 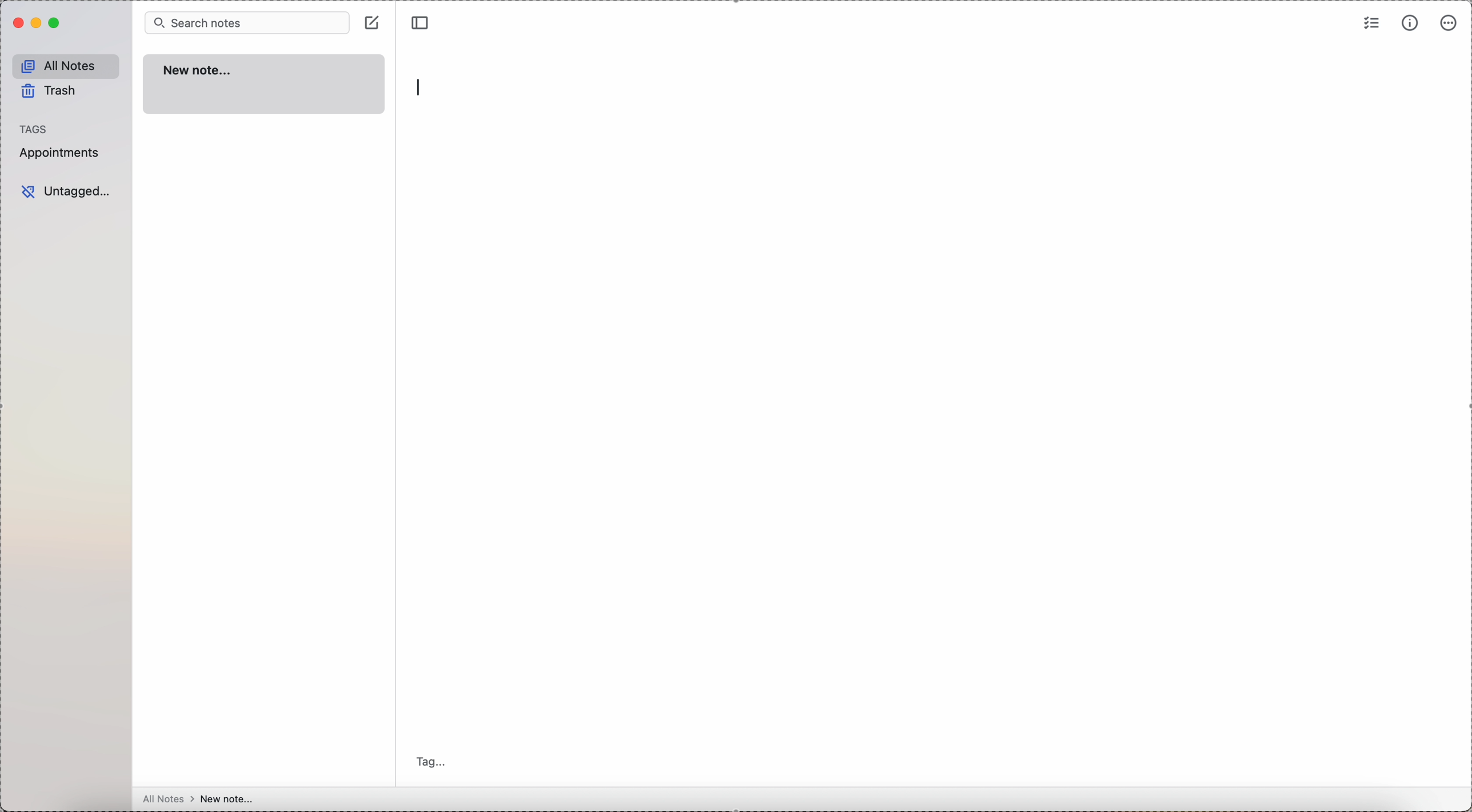 I want to click on enter, so click(x=422, y=88).